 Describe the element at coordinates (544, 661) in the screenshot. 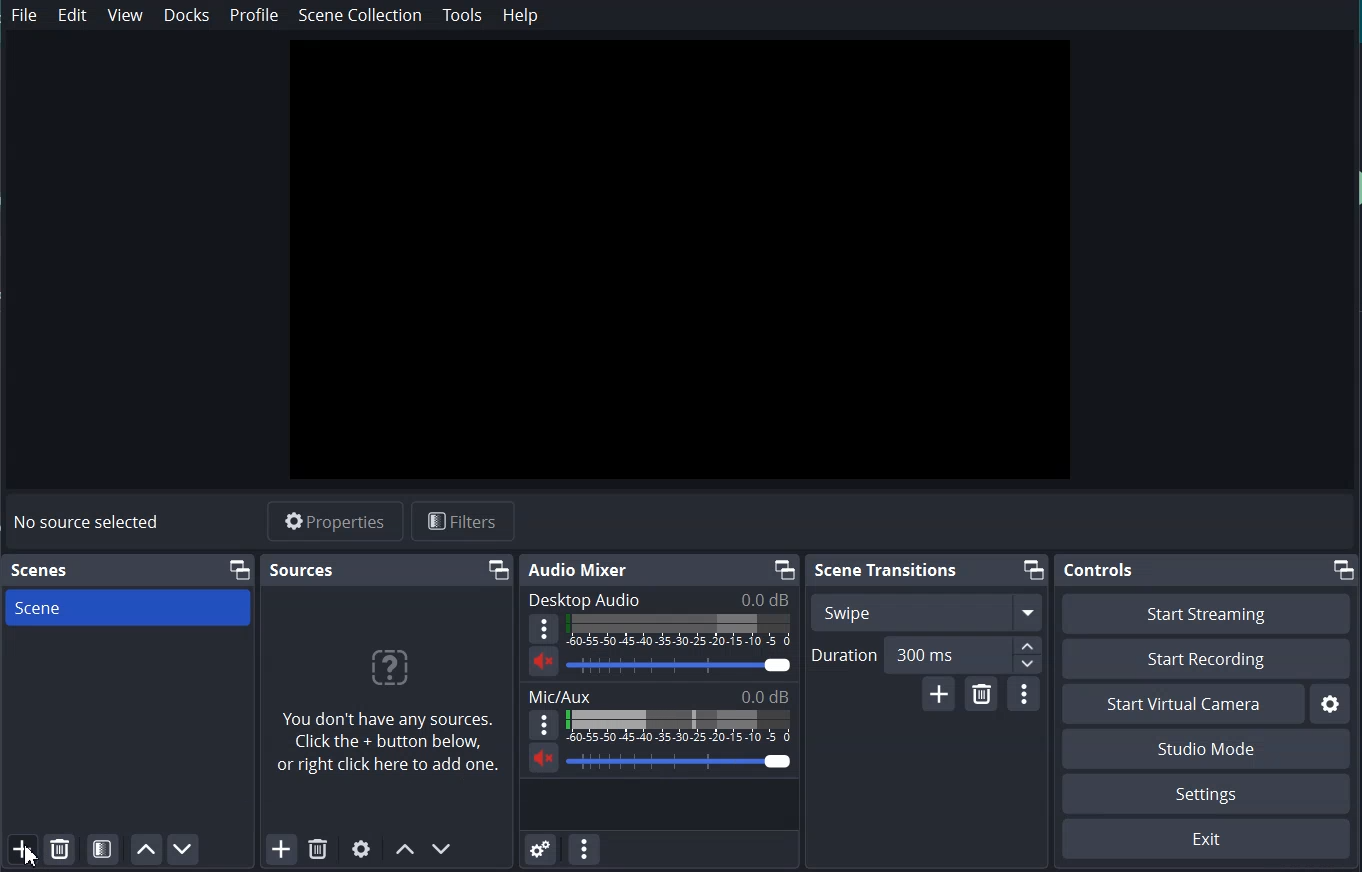

I see `Mute ` at that location.